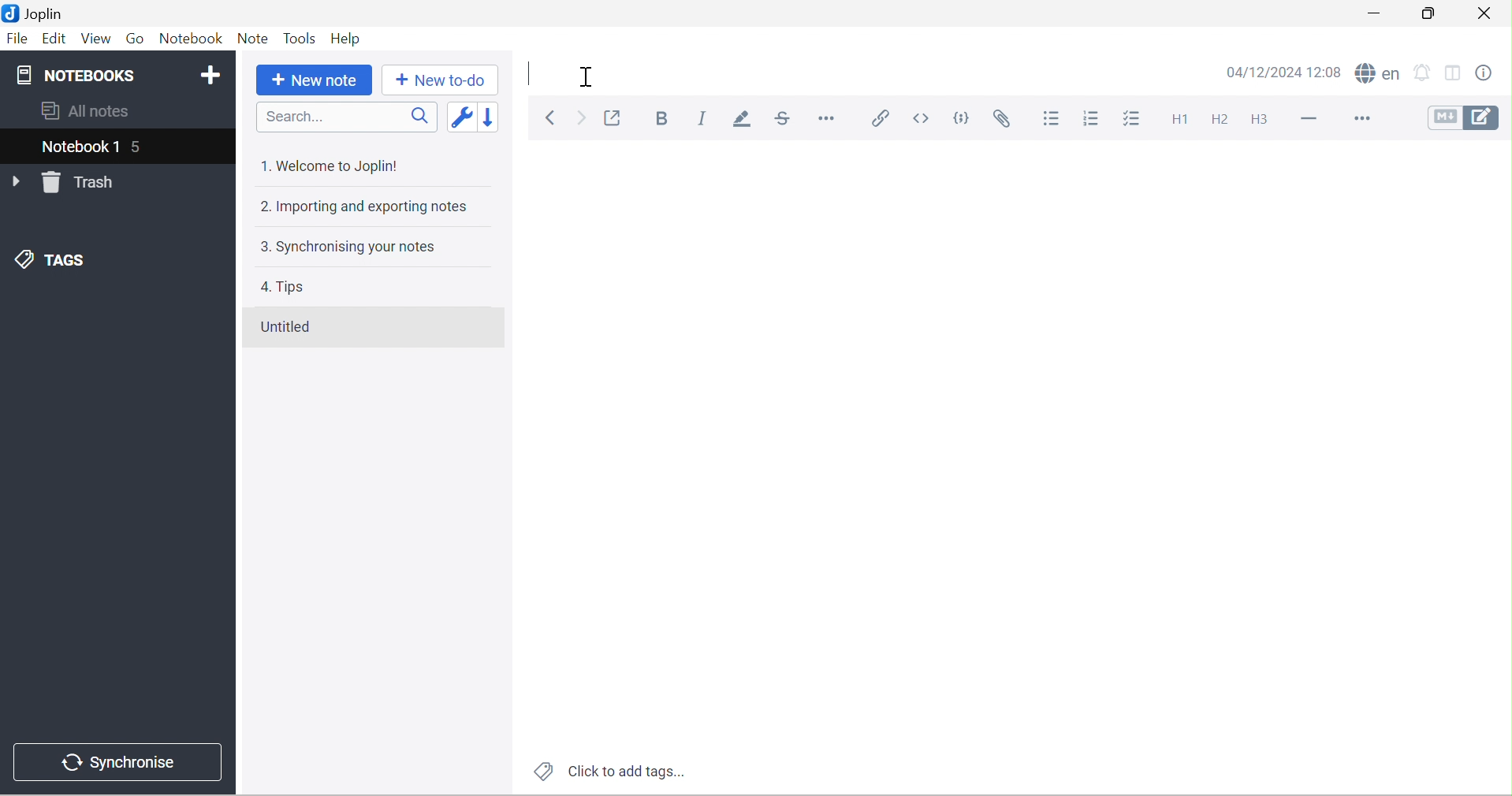  I want to click on 2. Importing and exporting notes, so click(367, 205).